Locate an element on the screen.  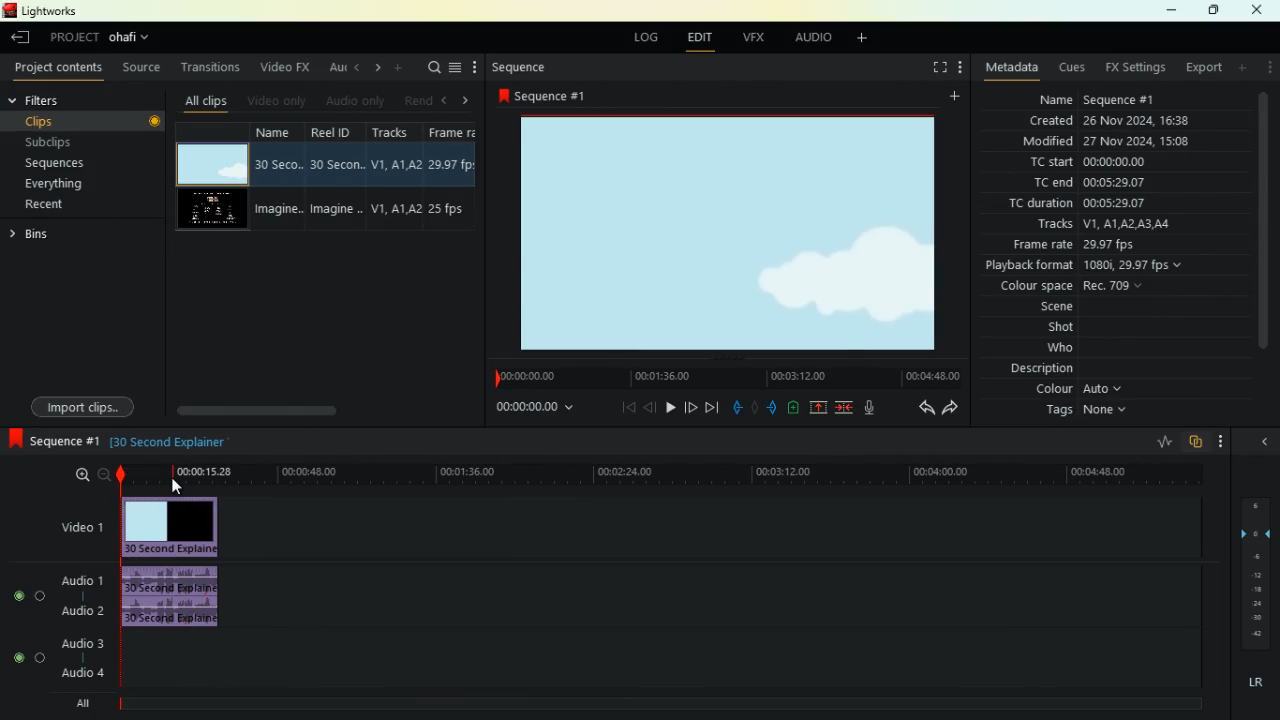
menu is located at coordinates (965, 67).